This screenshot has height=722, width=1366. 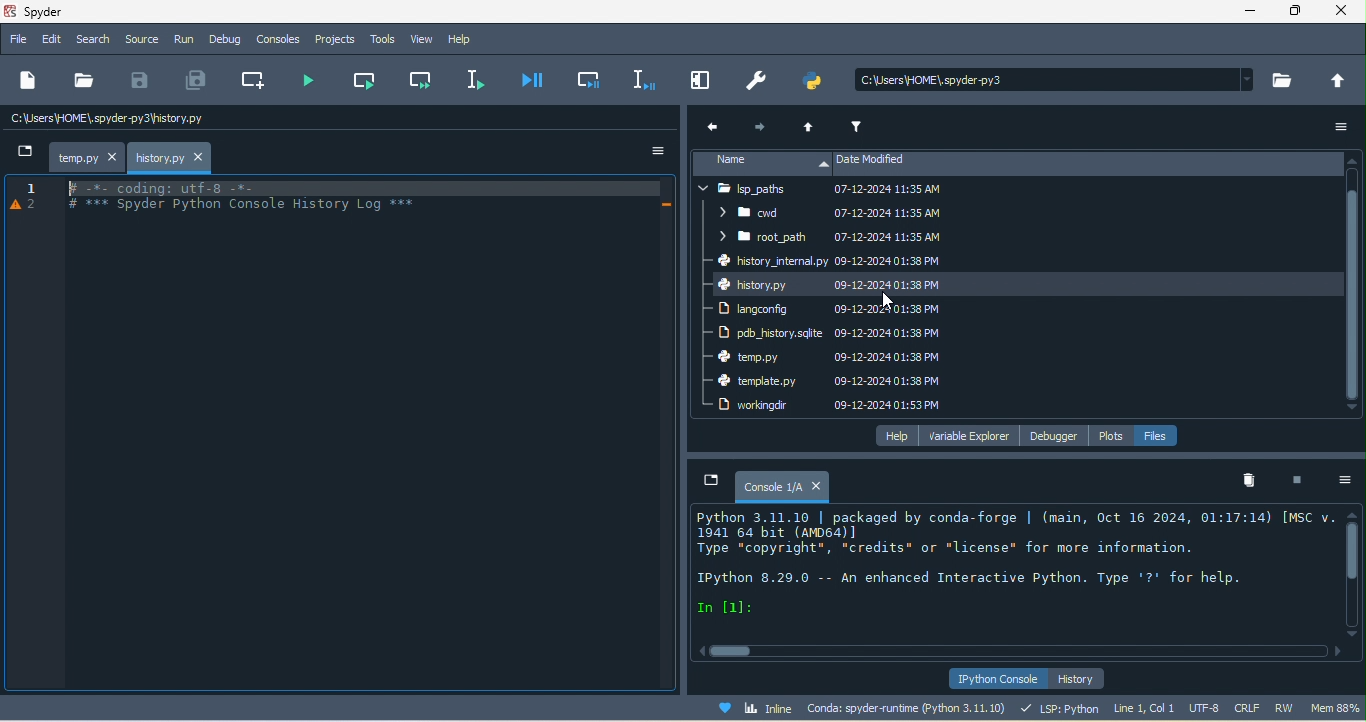 What do you see at coordinates (704, 77) in the screenshot?
I see `maximize current pane` at bounding box center [704, 77].